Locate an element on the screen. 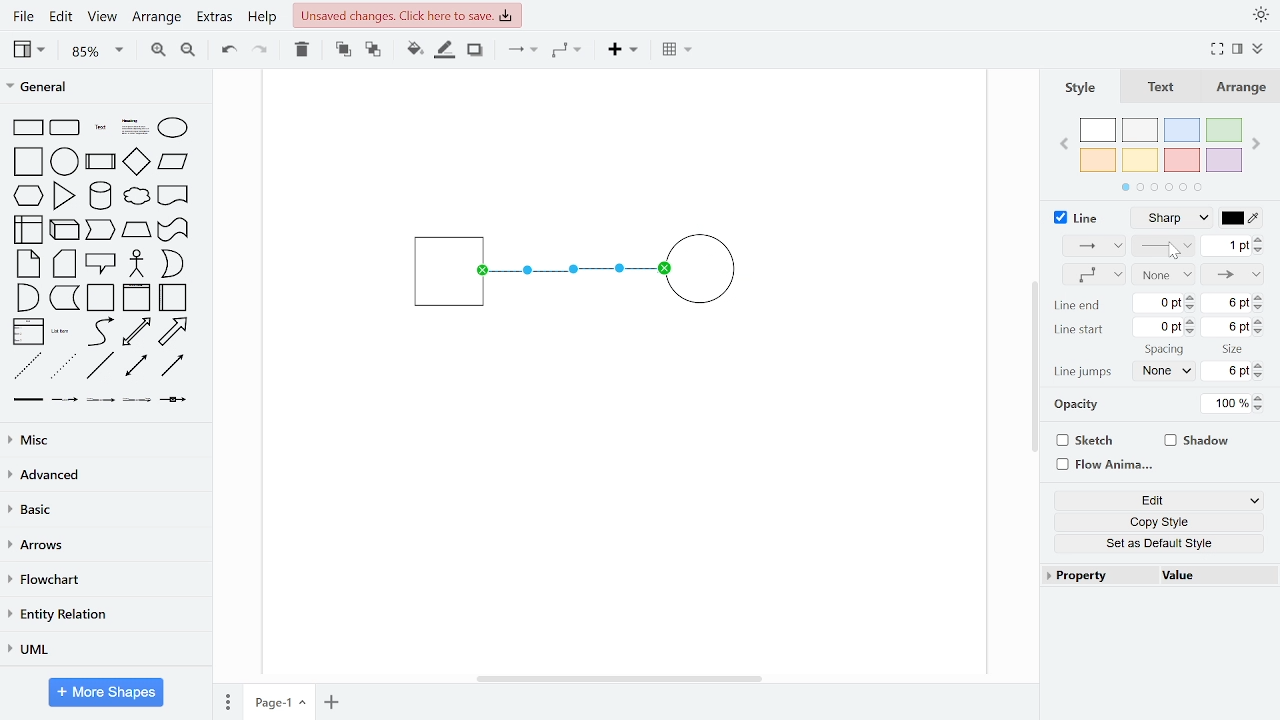 The width and height of the screenshot is (1280, 720). add page is located at coordinates (332, 702).